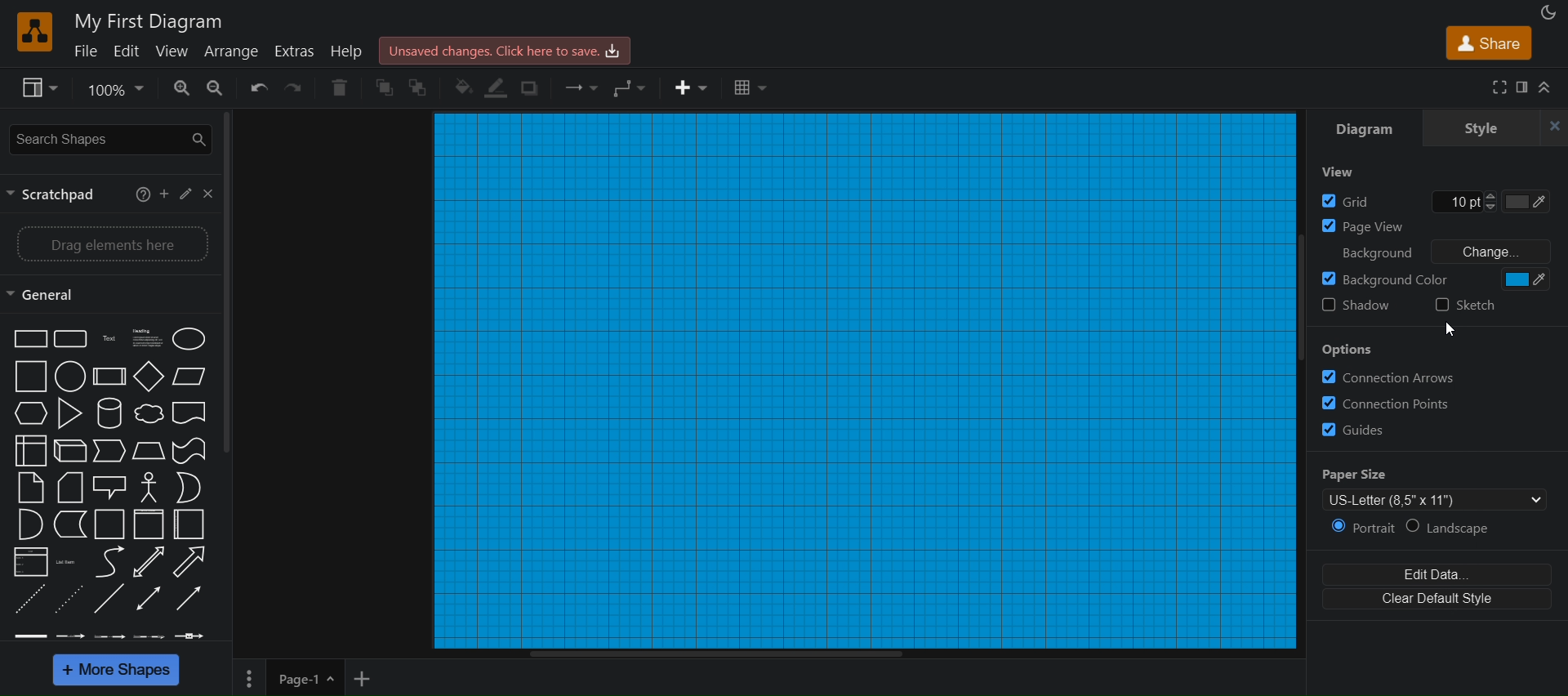 Image resolution: width=1568 pixels, height=696 pixels. Describe the element at coordinates (1460, 529) in the screenshot. I see `landscape` at that location.